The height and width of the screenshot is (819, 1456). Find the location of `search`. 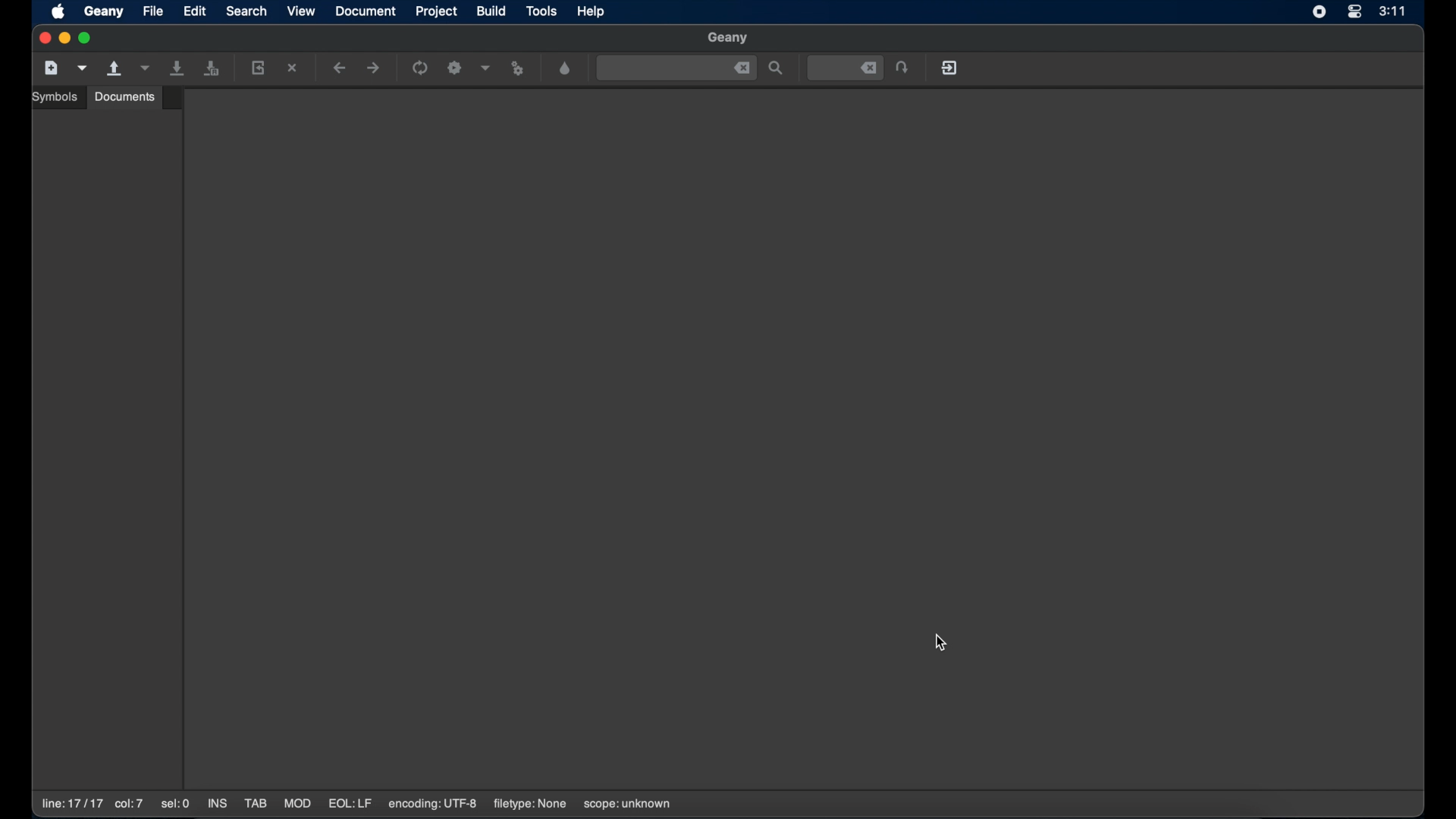

search is located at coordinates (246, 11).